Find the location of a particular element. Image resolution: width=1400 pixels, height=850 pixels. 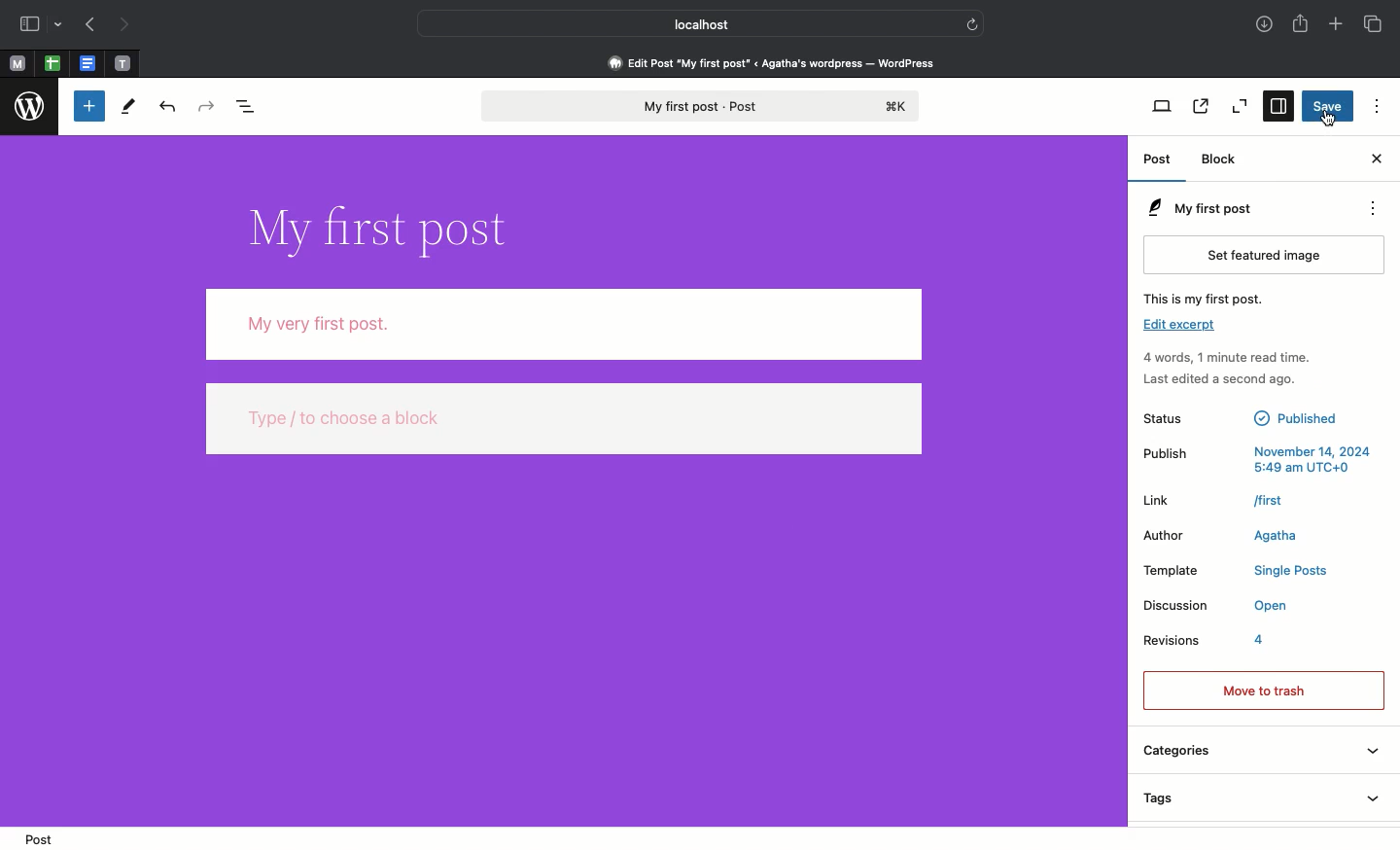

edit excerpt is located at coordinates (1180, 328).